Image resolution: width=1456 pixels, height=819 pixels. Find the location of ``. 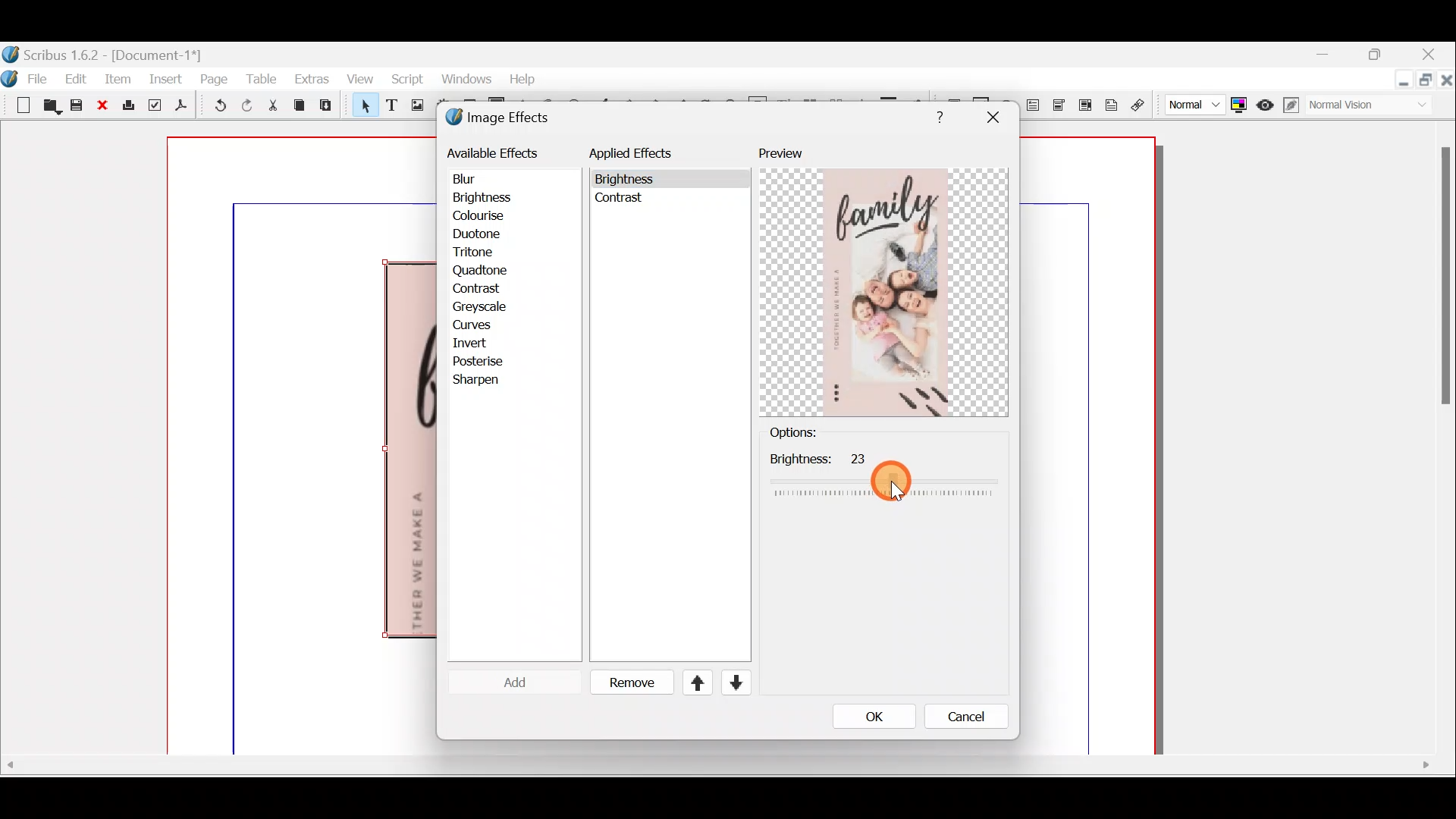

 is located at coordinates (936, 115).